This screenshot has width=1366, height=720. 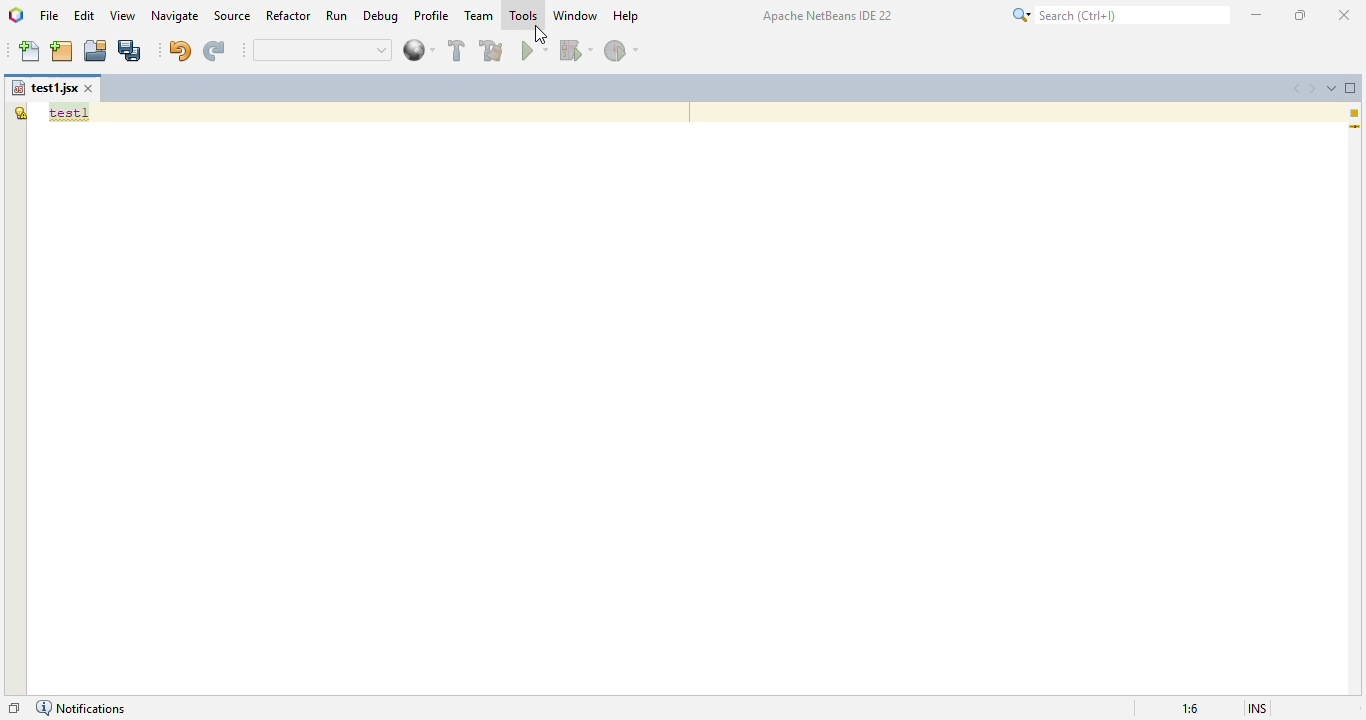 What do you see at coordinates (90, 88) in the screenshot?
I see `close window` at bounding box center [90, 88].